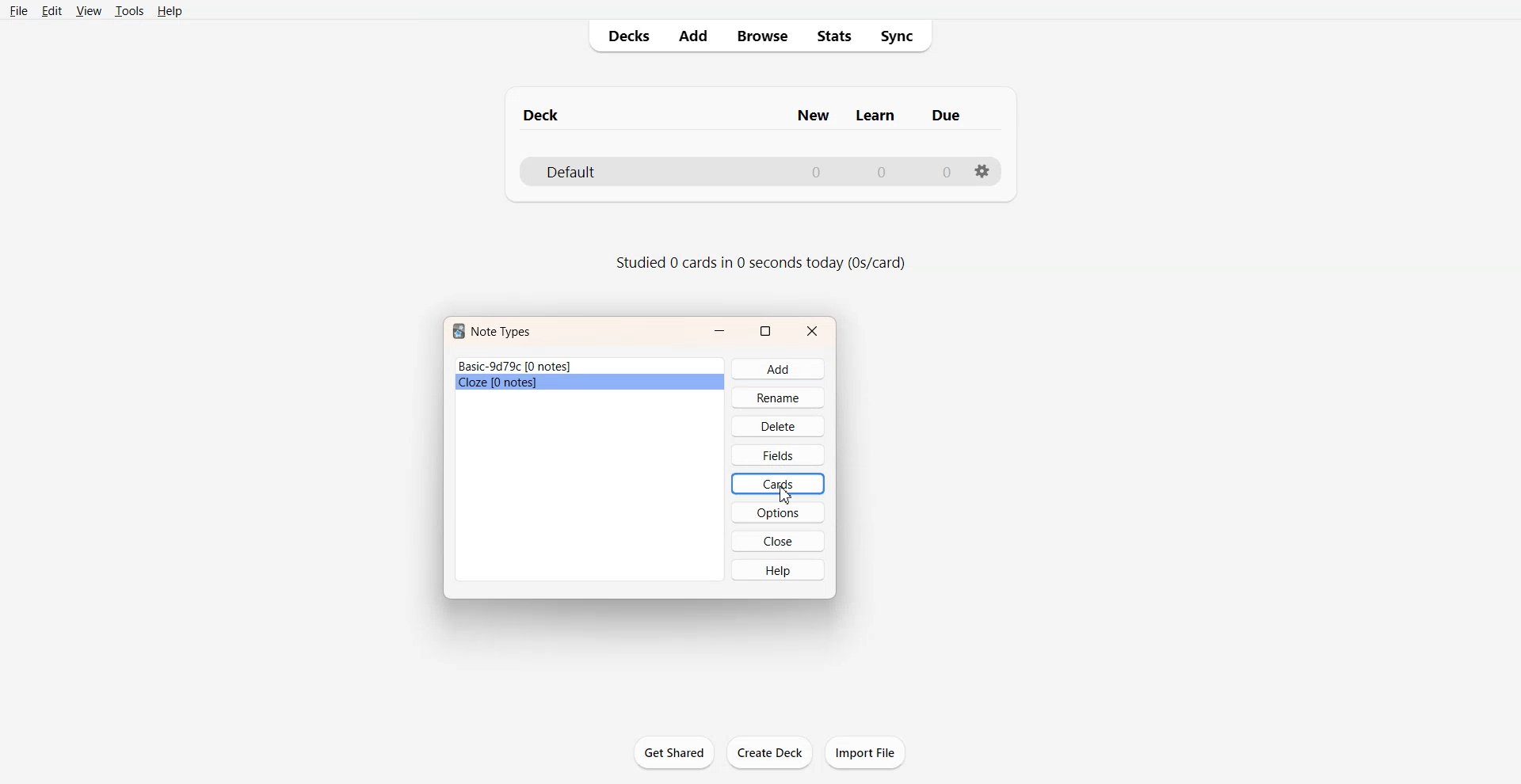 The image size is (1521, 784). I want to click on Text 2, so click(760, 262).